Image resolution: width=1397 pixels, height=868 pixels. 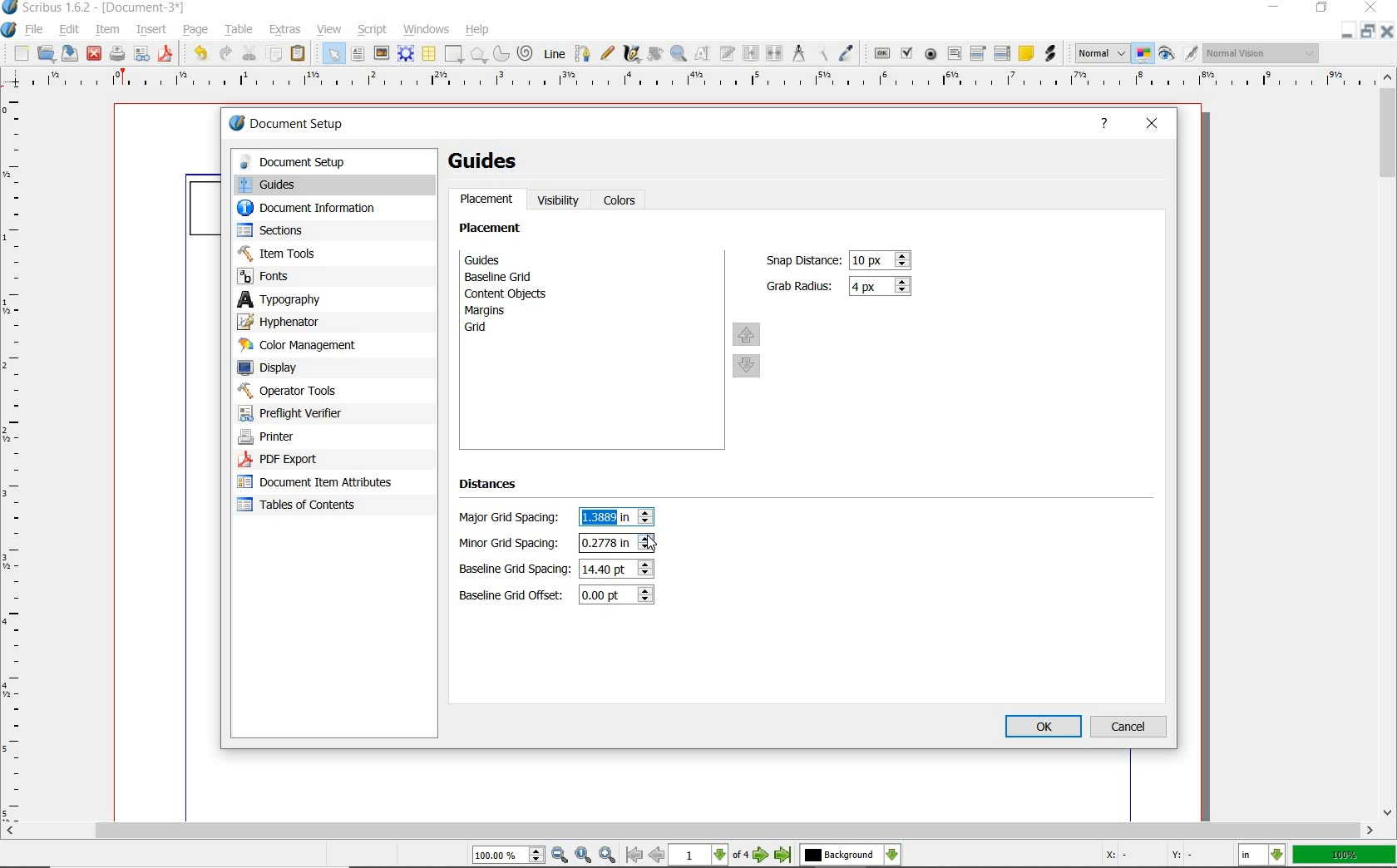 I want to click on guides, so click(x=512, y=259).